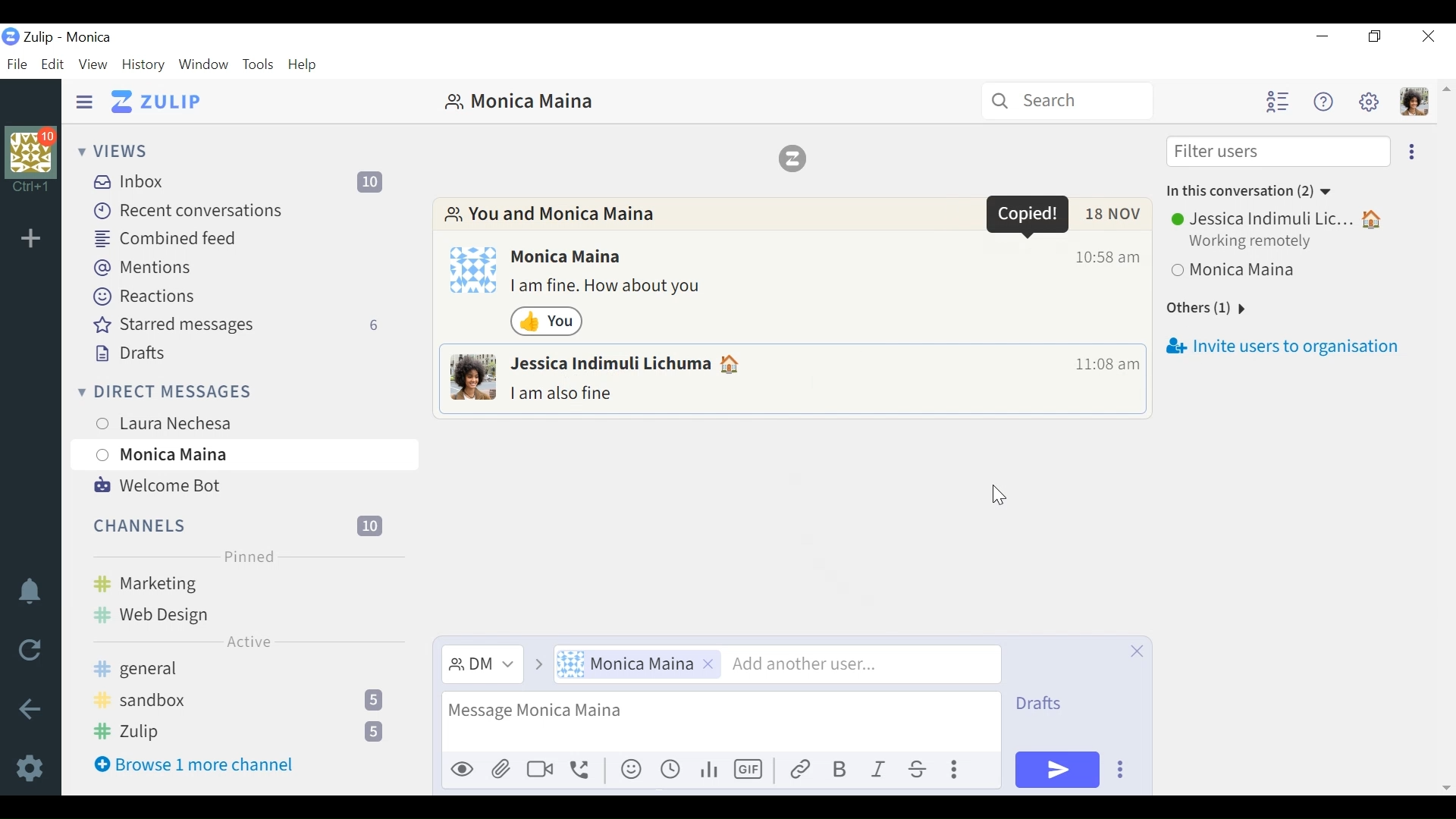 The height and width of the screenshot is (819, 1456). I want to click on Drafts, so click(131, 354).